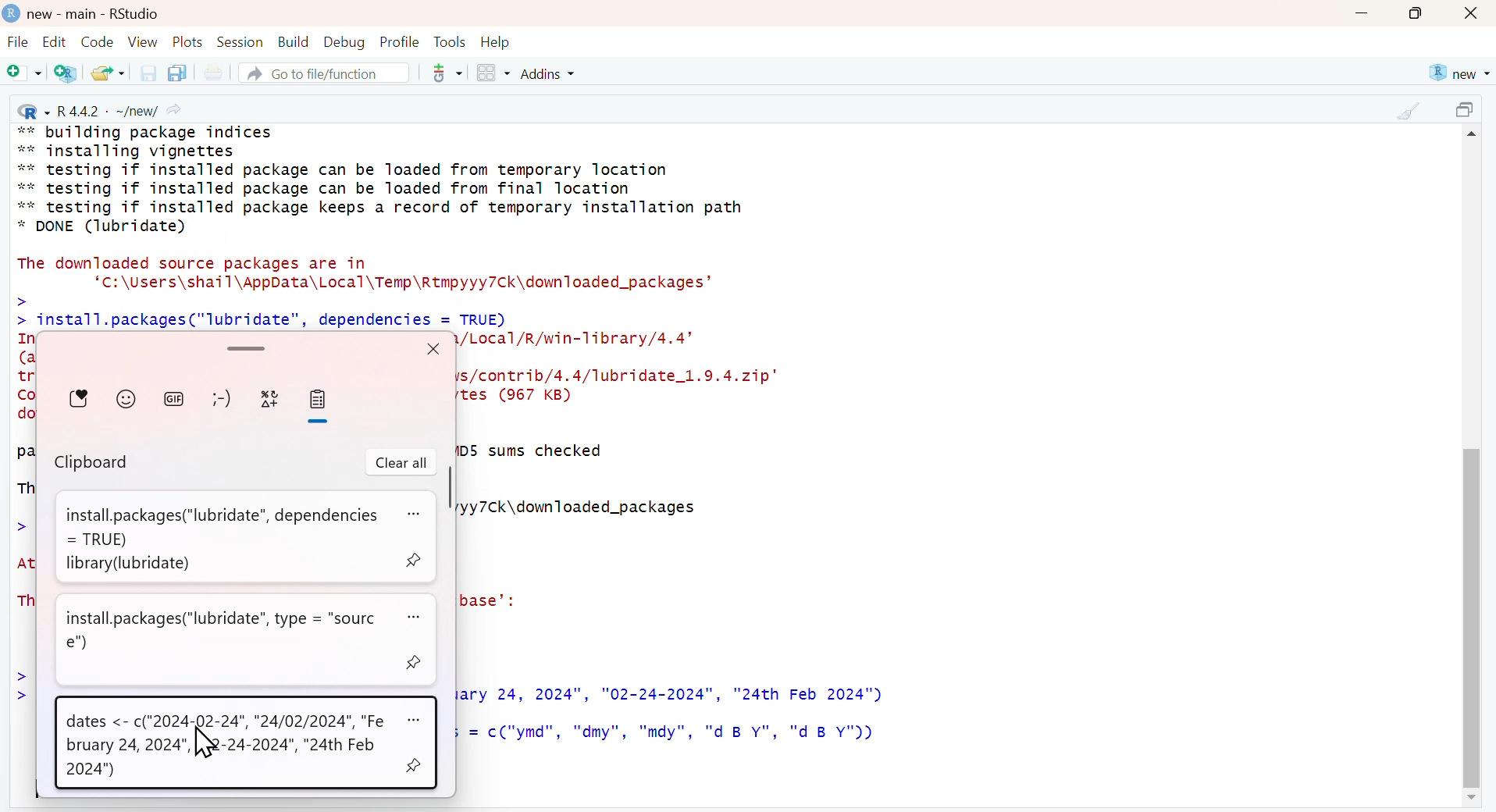  Describe the element at coordinates (415, 763) in the screenshot. I see `pin` at that location.